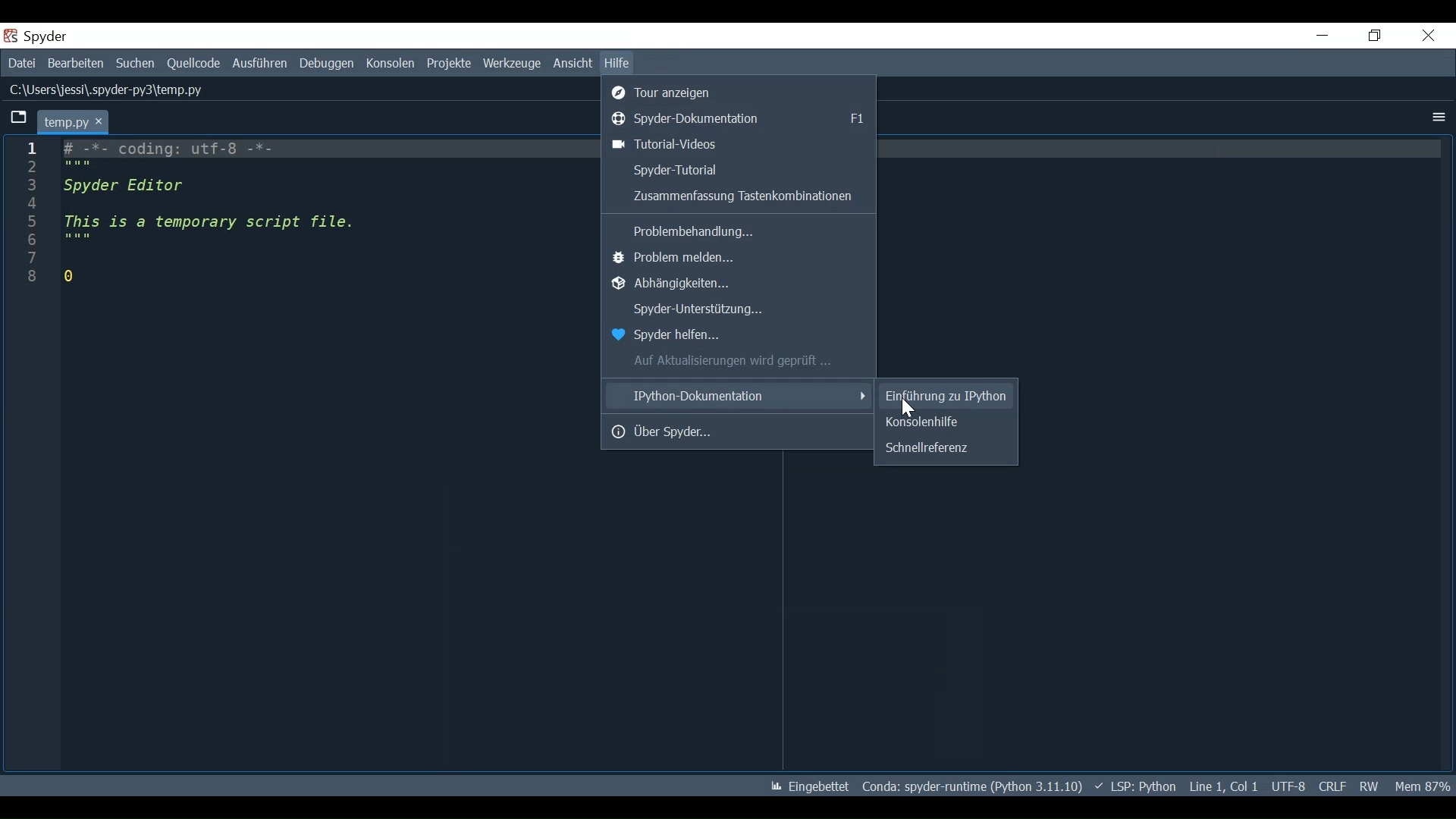  What do you see at coordinates (739, 284) in the screenshot?
I see `Dependencies` at bounding box center [739, 284].